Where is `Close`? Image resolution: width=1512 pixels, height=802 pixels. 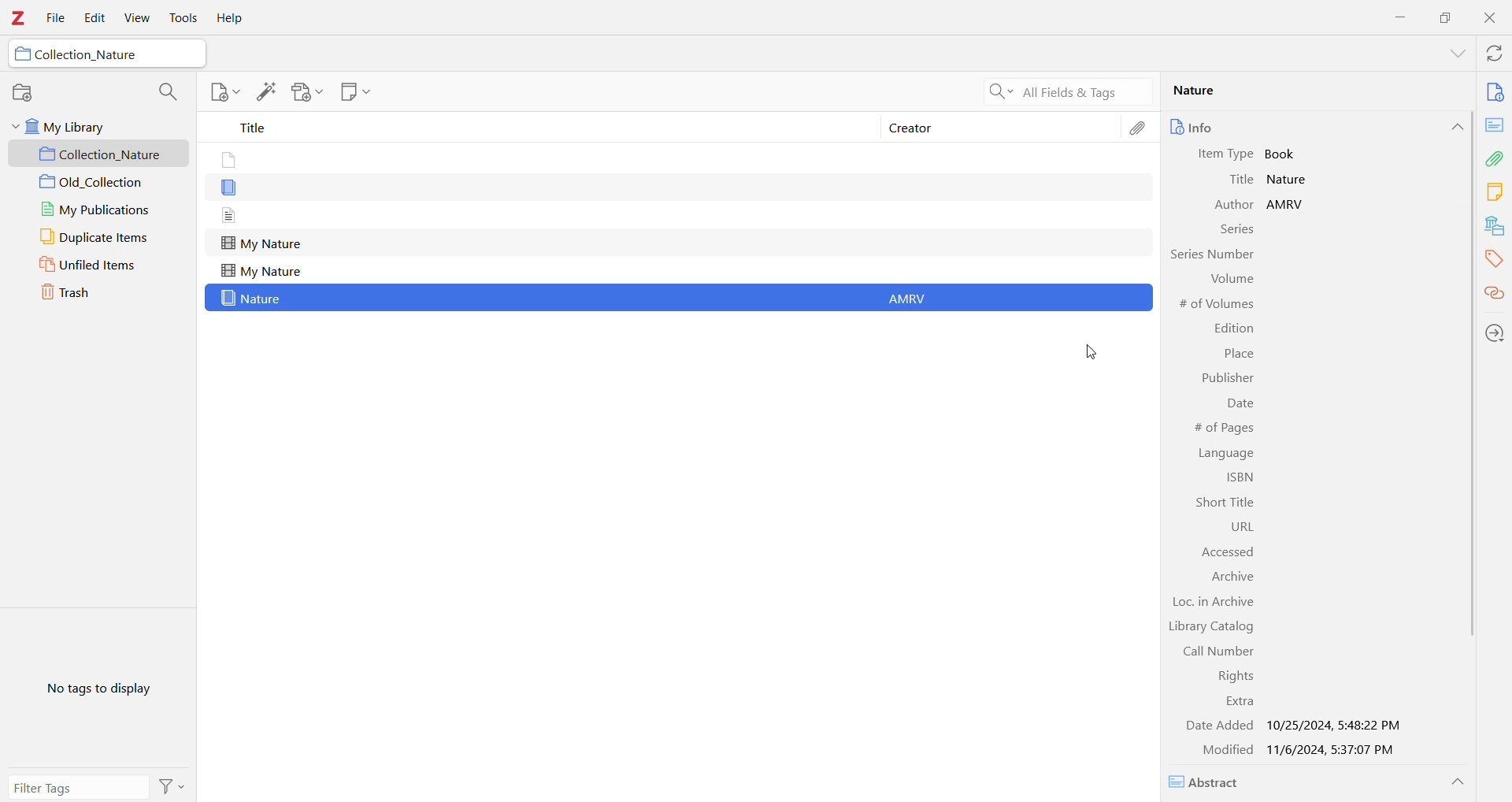 Close is located at coordinates (1493, 20).